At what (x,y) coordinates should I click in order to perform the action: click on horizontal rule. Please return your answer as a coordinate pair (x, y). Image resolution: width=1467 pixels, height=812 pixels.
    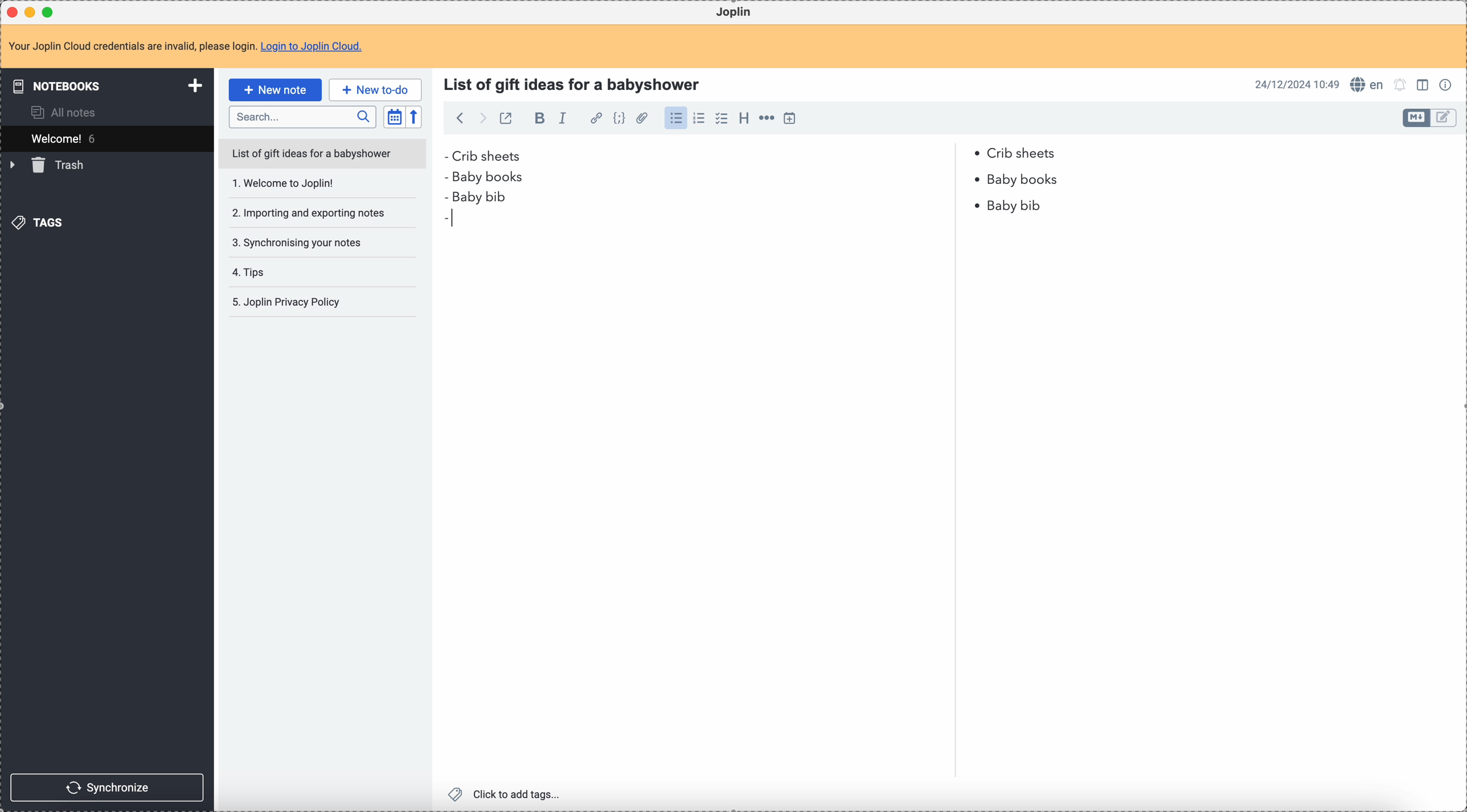
    Looking at the image, I should click on (768, 119).